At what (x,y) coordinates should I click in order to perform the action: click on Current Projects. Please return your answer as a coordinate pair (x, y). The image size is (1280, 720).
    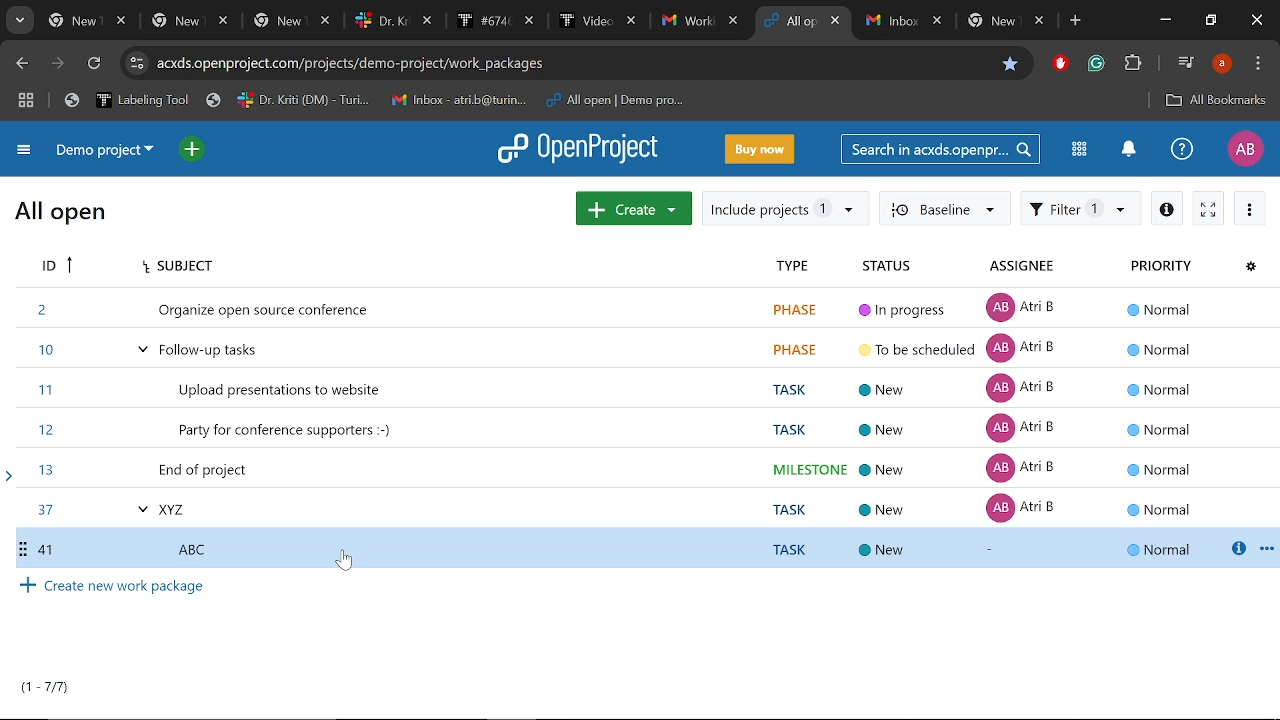
    Looking at the image, I should click on (42, 692).